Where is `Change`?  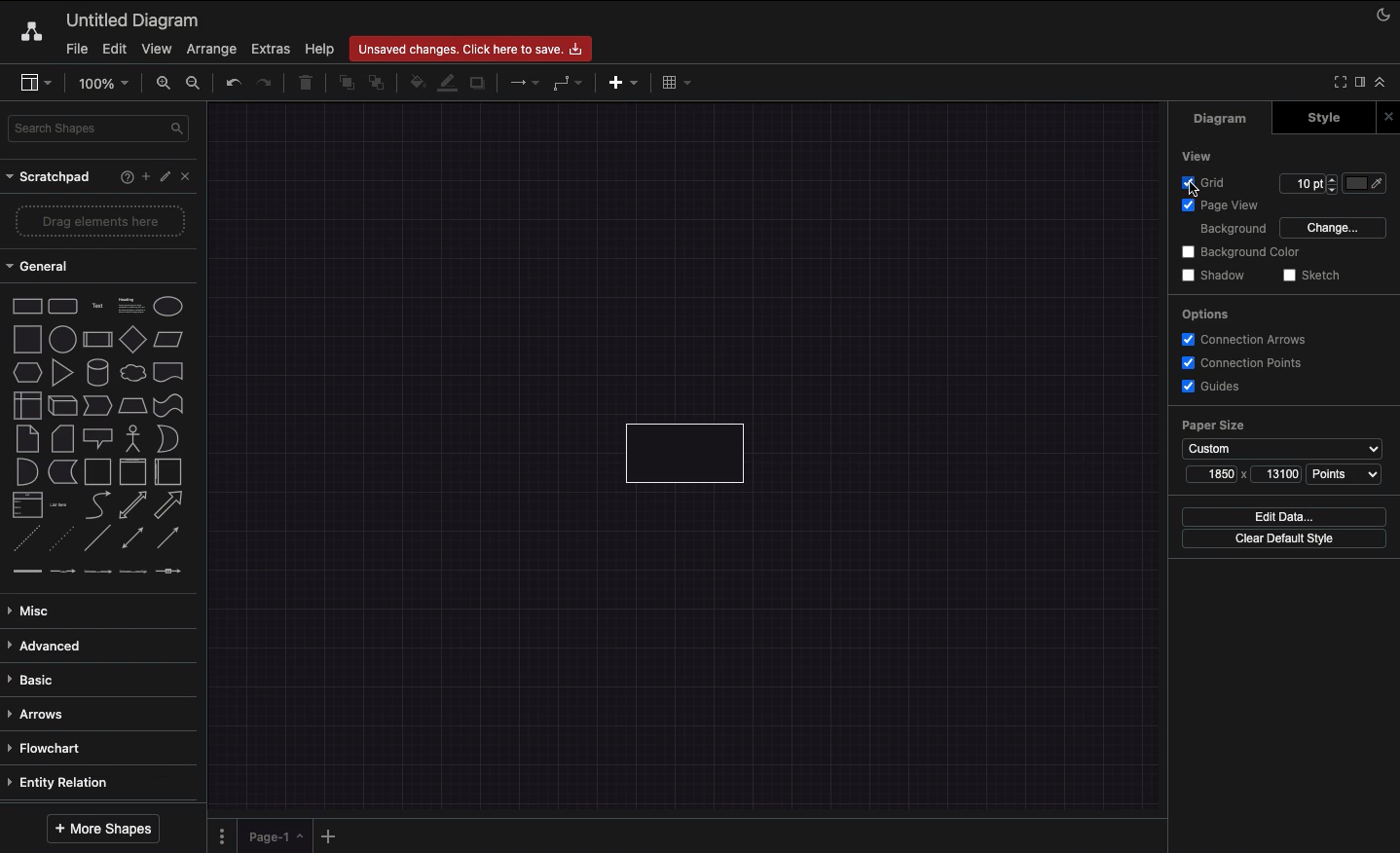 Change is located at coordinates (1335, 229).